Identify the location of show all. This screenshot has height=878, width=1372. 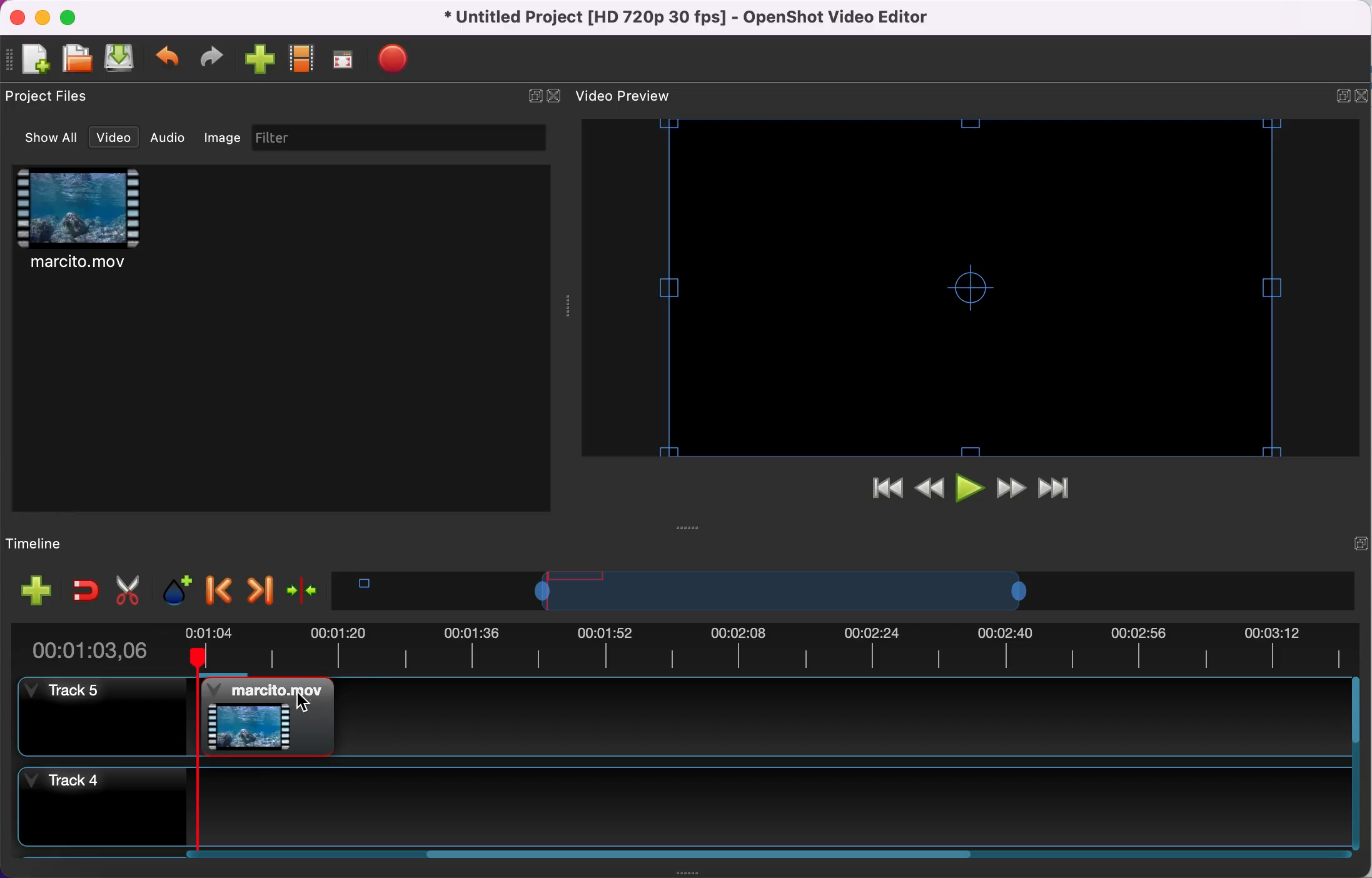
(44, 137).